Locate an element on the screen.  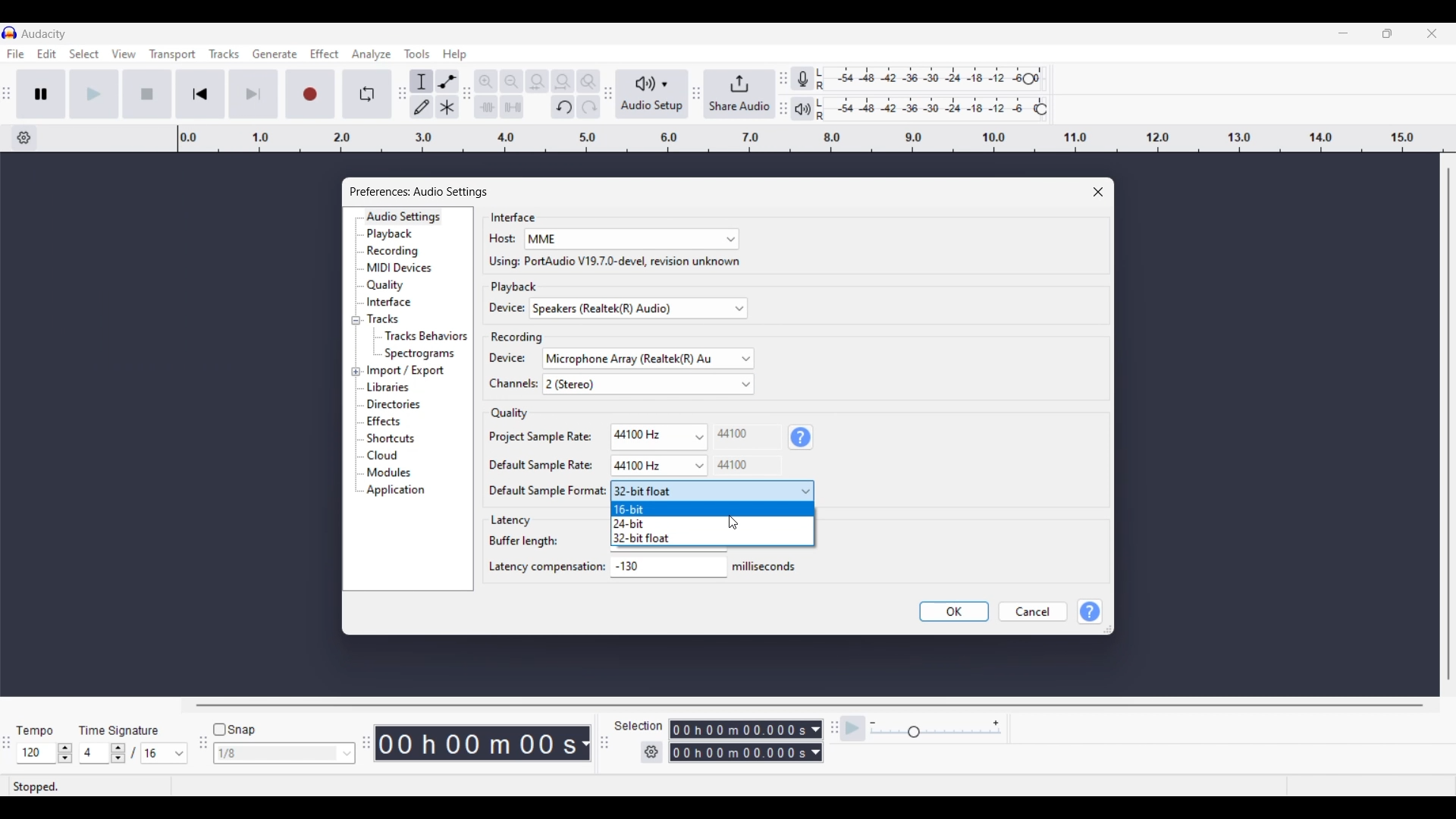
Quality is located at coordinates (404, 285).